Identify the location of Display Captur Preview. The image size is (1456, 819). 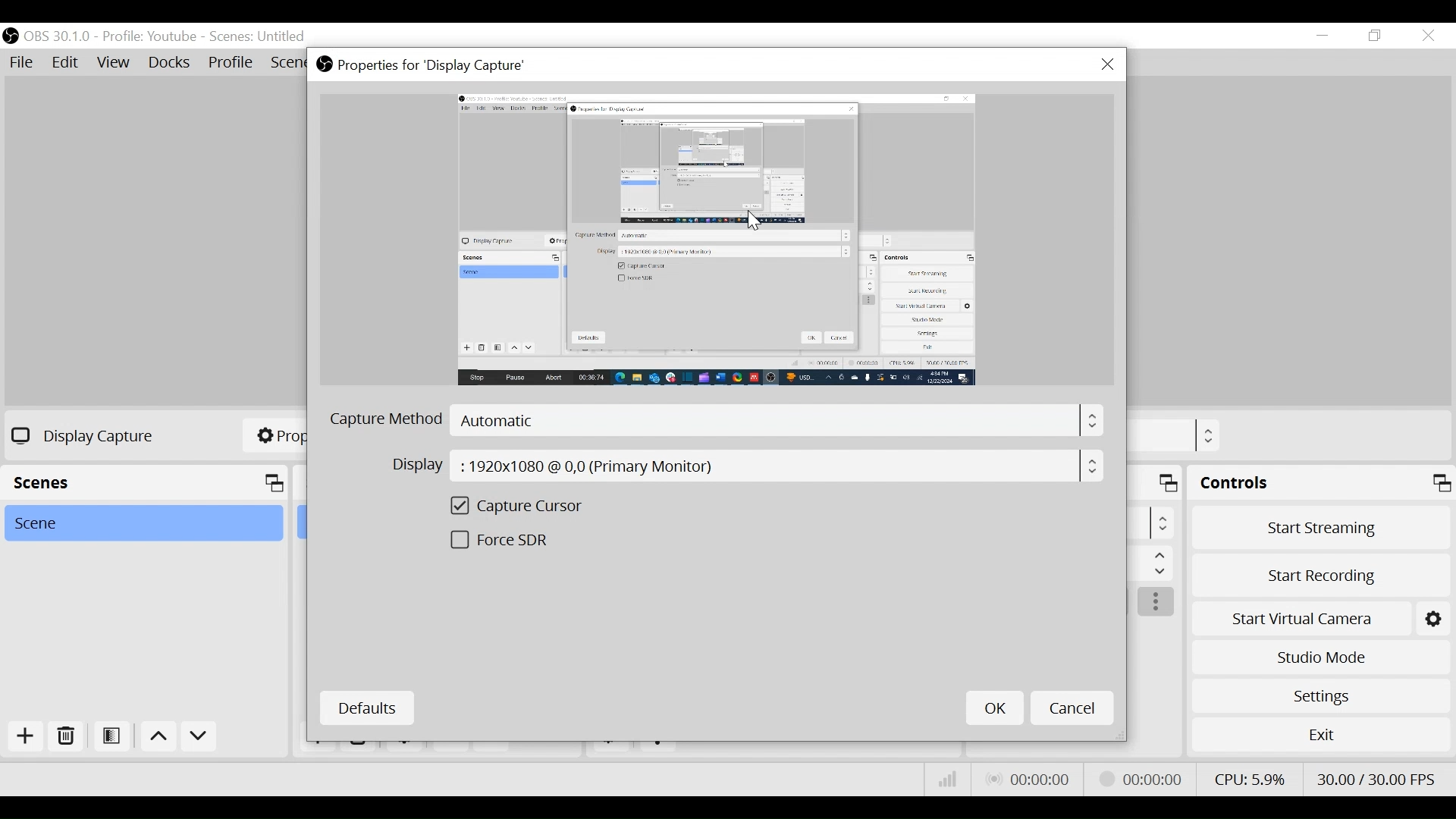
(717, 240).